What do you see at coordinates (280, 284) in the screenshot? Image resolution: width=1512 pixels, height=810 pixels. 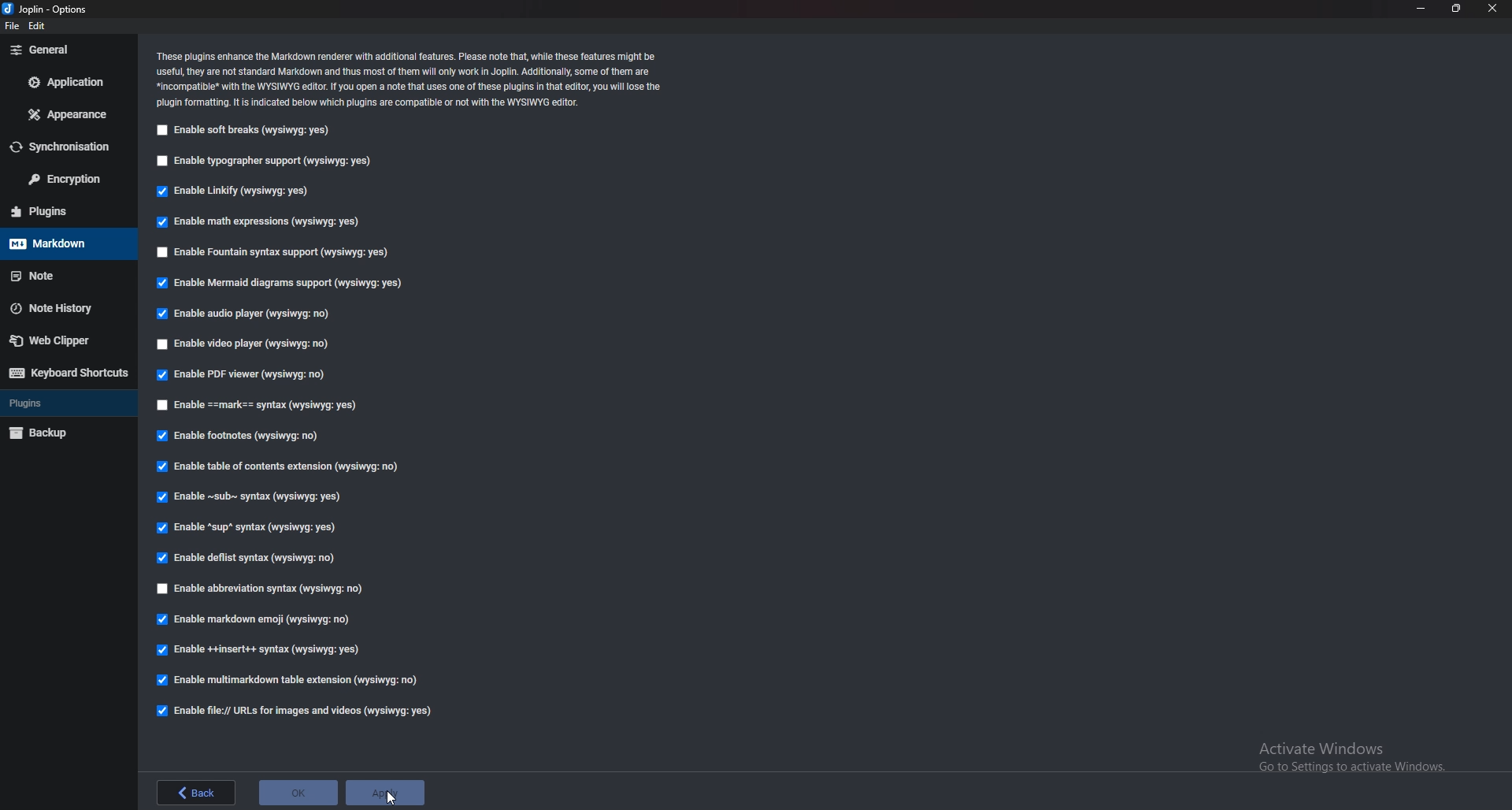 I see `Enable mermaid diagram support` at bounding box center [280, 284].